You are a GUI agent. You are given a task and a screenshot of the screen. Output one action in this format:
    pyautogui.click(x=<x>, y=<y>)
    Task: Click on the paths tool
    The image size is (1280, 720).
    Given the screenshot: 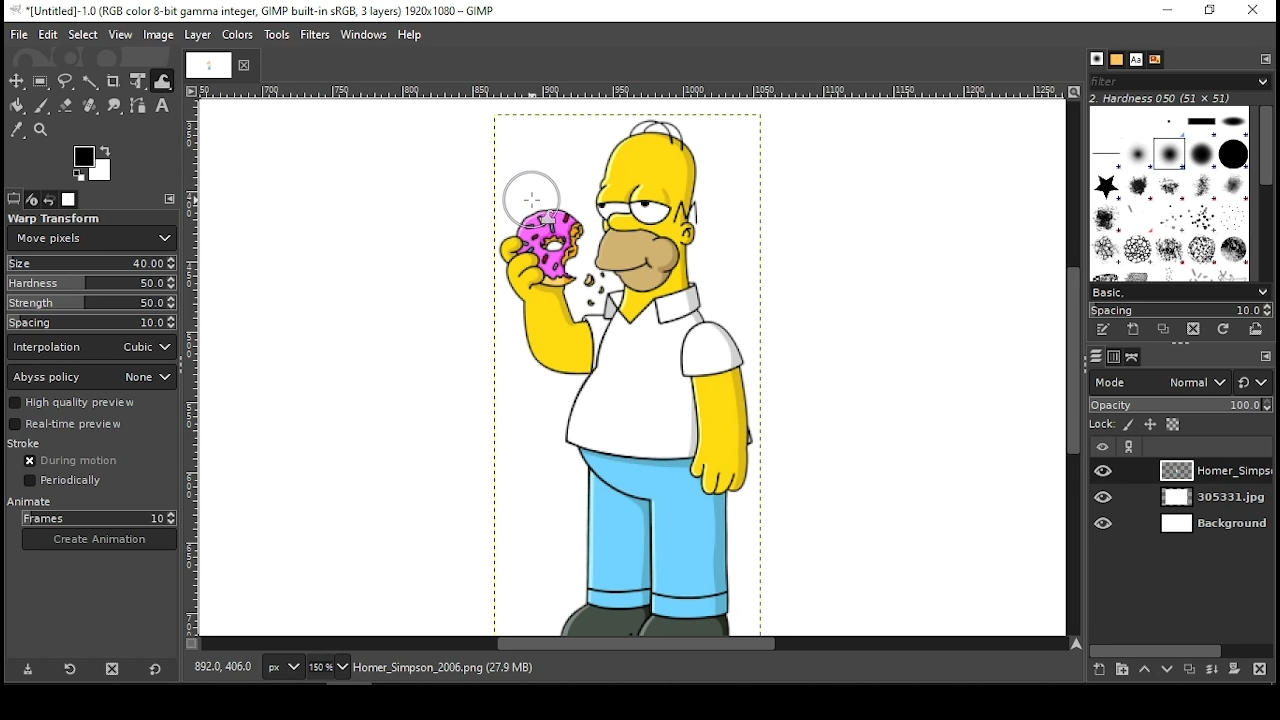 What is the action you would take?
    pyautogui.click(x=137, y=106)
    